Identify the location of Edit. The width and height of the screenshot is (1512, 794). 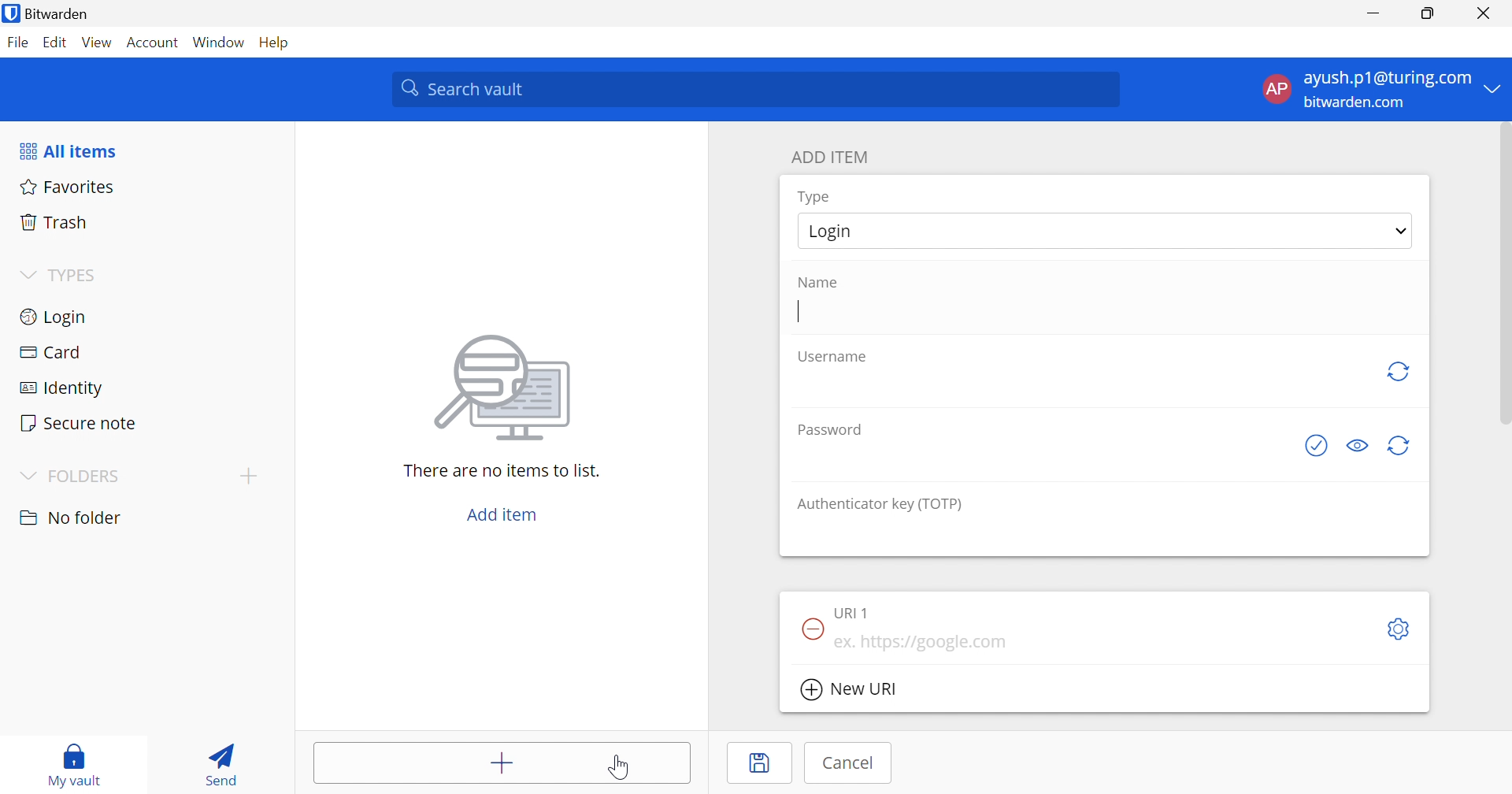
(54, 43).